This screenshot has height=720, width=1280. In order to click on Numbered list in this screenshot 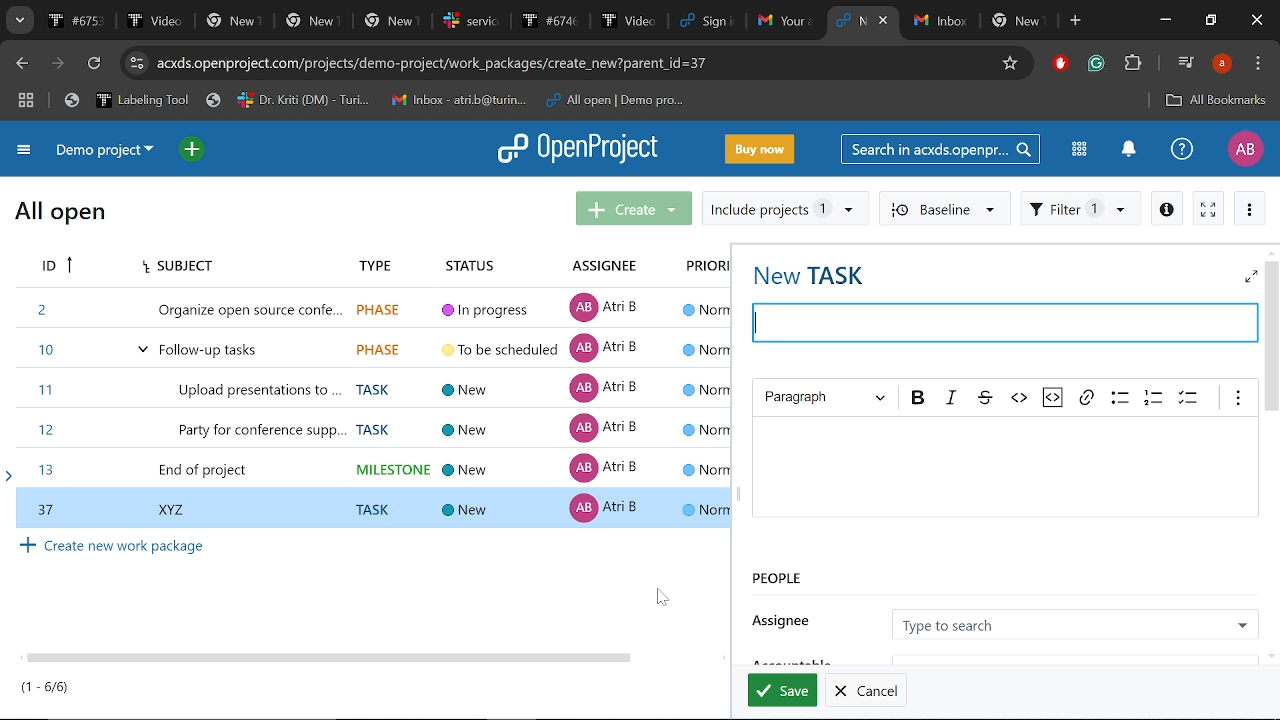, I will do `click(1154, 397)`.